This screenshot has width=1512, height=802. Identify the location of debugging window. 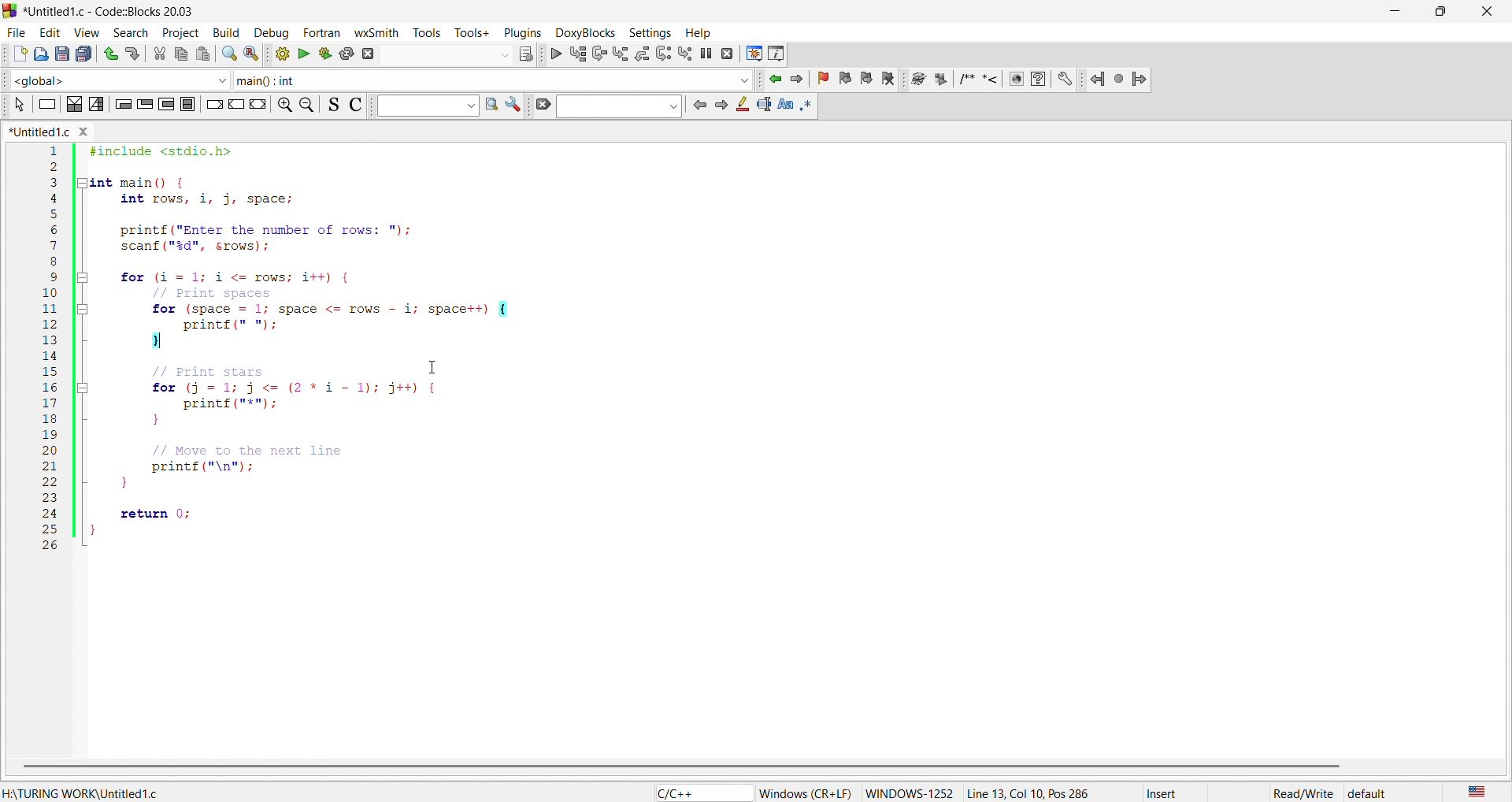
(753, 53).